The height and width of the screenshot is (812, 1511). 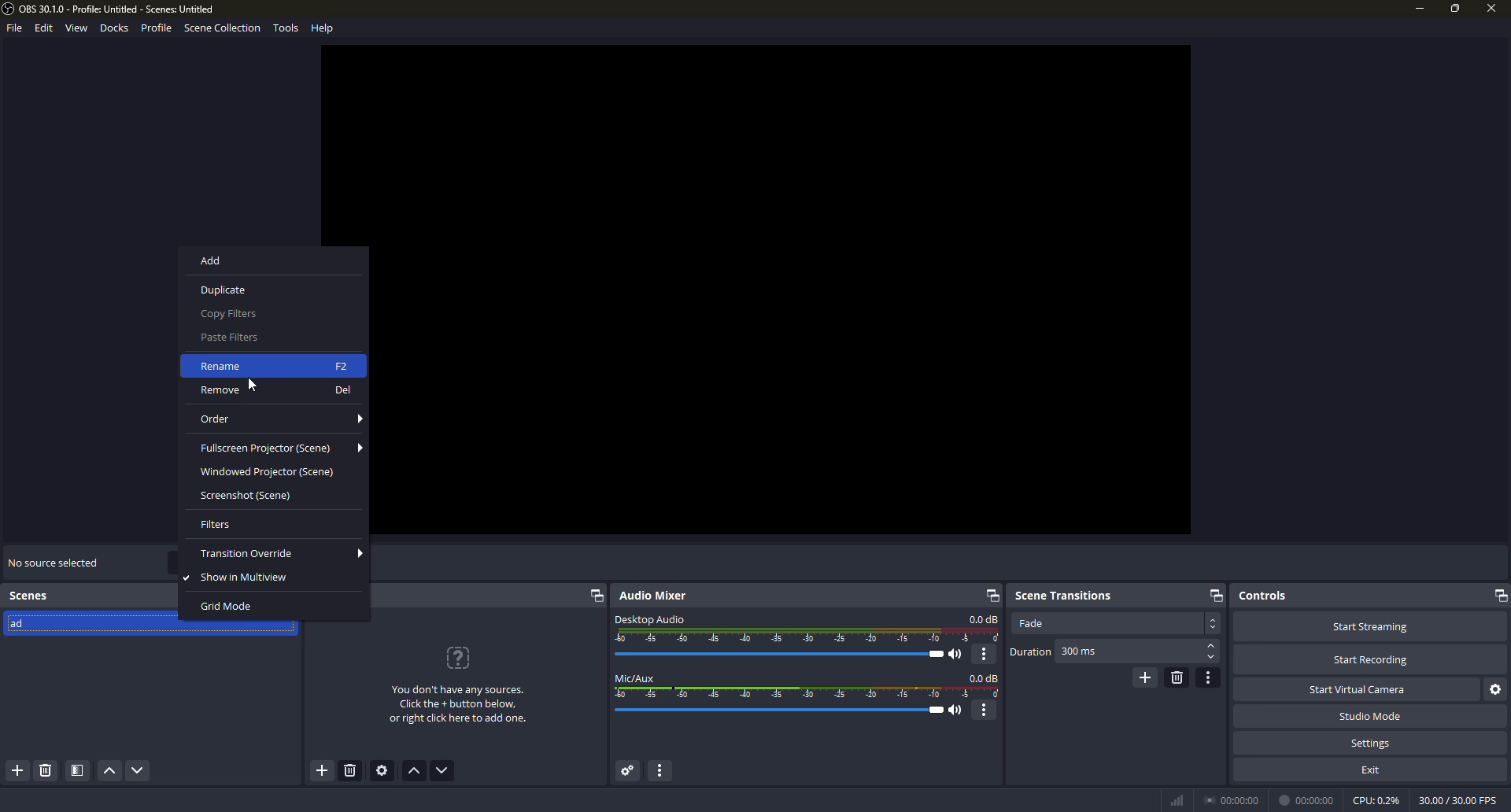 What do you see at coordinates (31, 596) in the screenshot?
I see `scenes` at bounding box center [31, 596].